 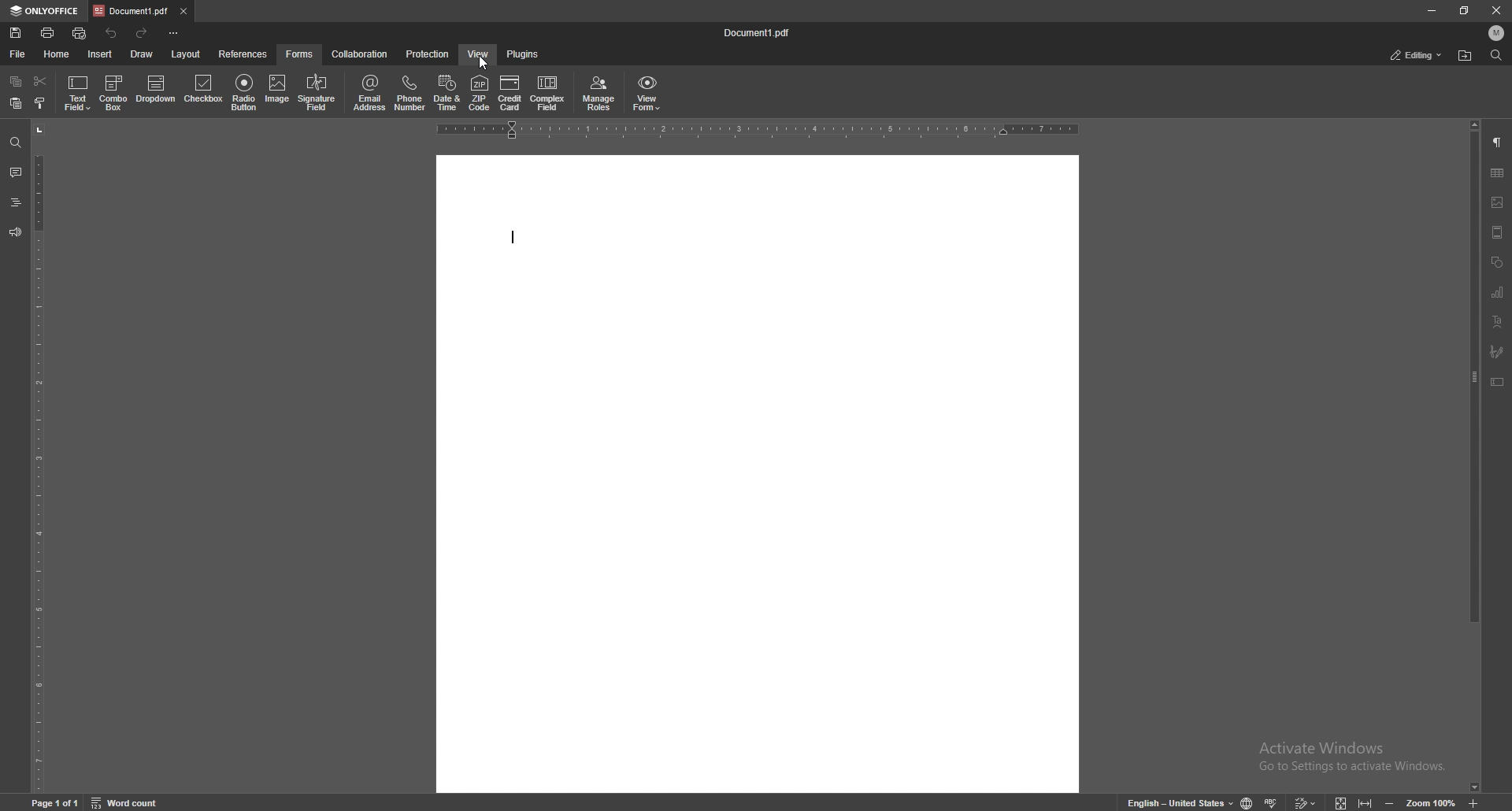 What do you see at coordinates (1274, 800) in the screenshot?
I see `spell check` at bounding box center [1274, 800].